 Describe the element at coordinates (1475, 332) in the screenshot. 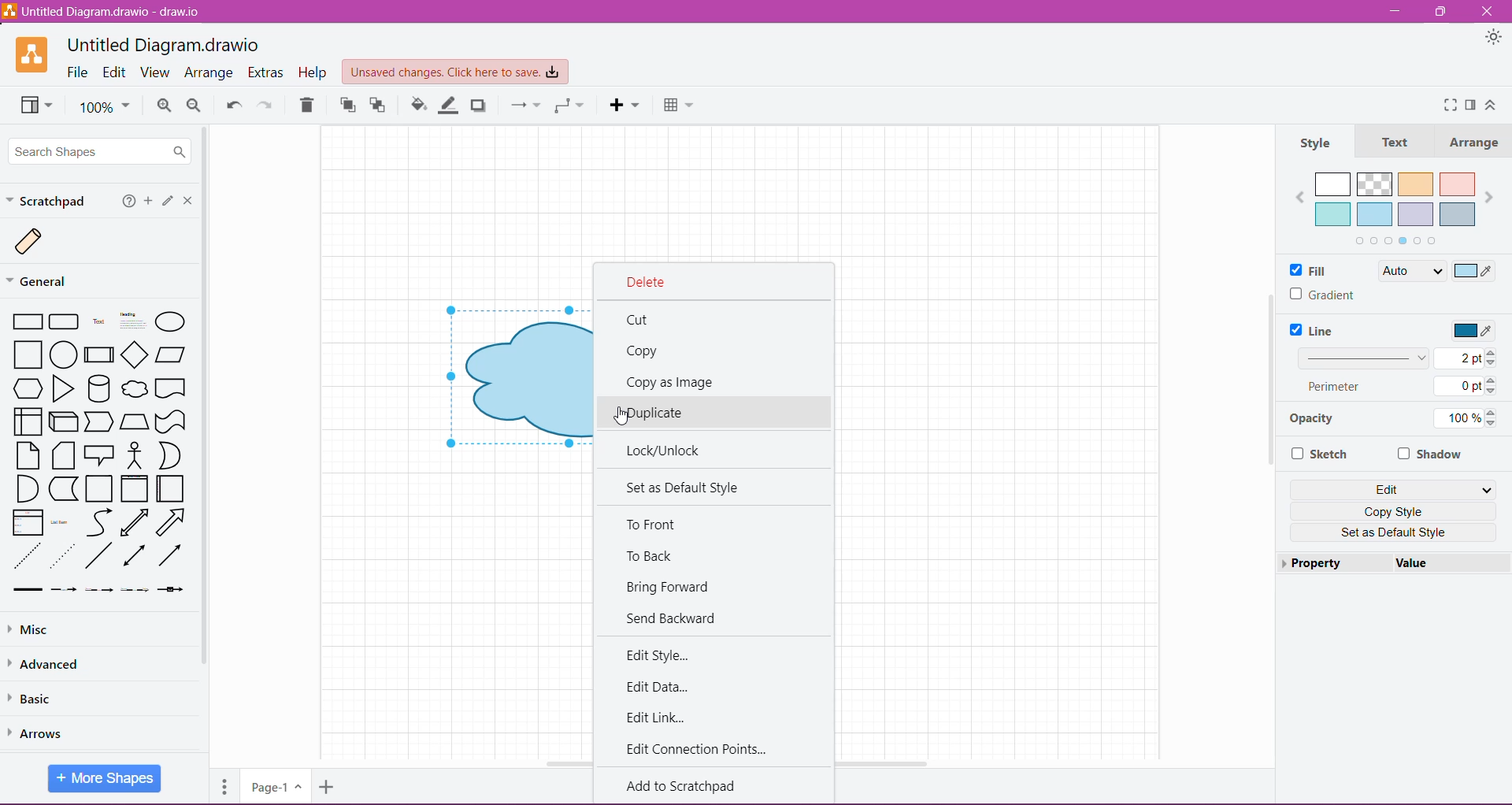

I see `Select Line Color` at that location.